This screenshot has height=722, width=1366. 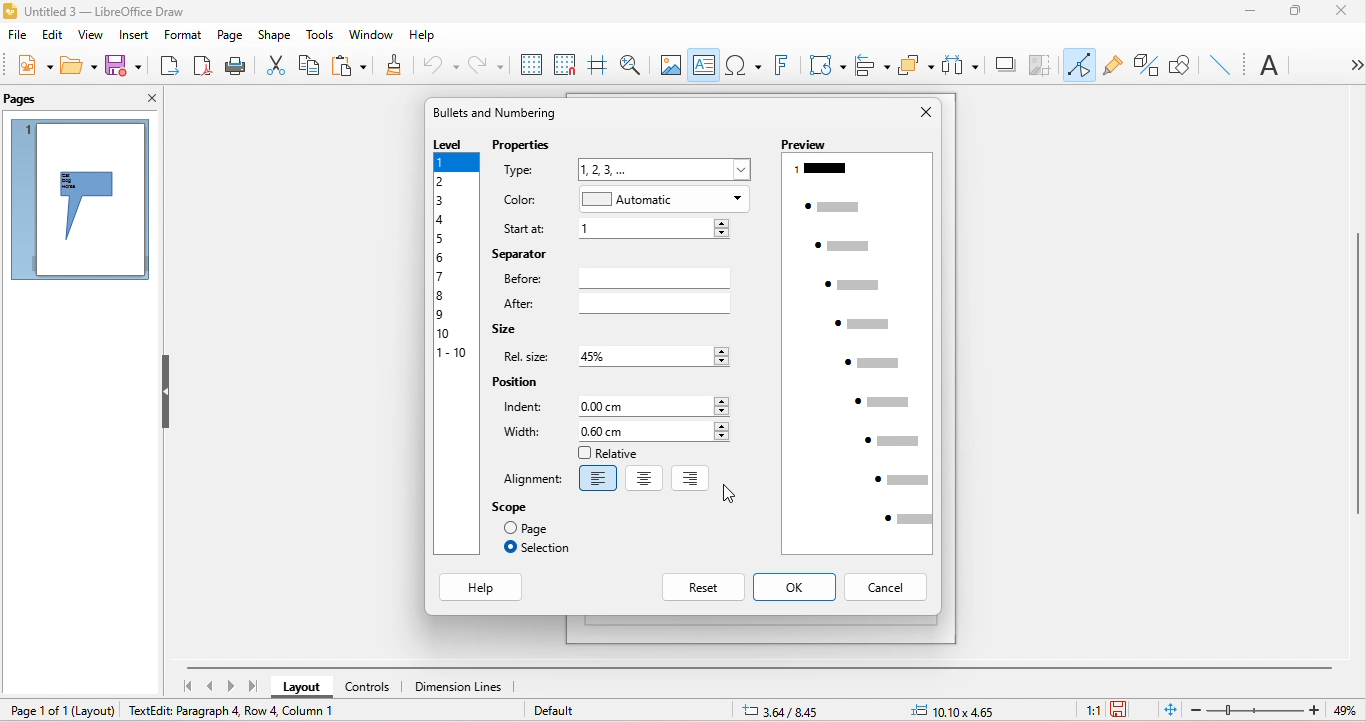 I want to click on redo, so click(x=486, y=65).